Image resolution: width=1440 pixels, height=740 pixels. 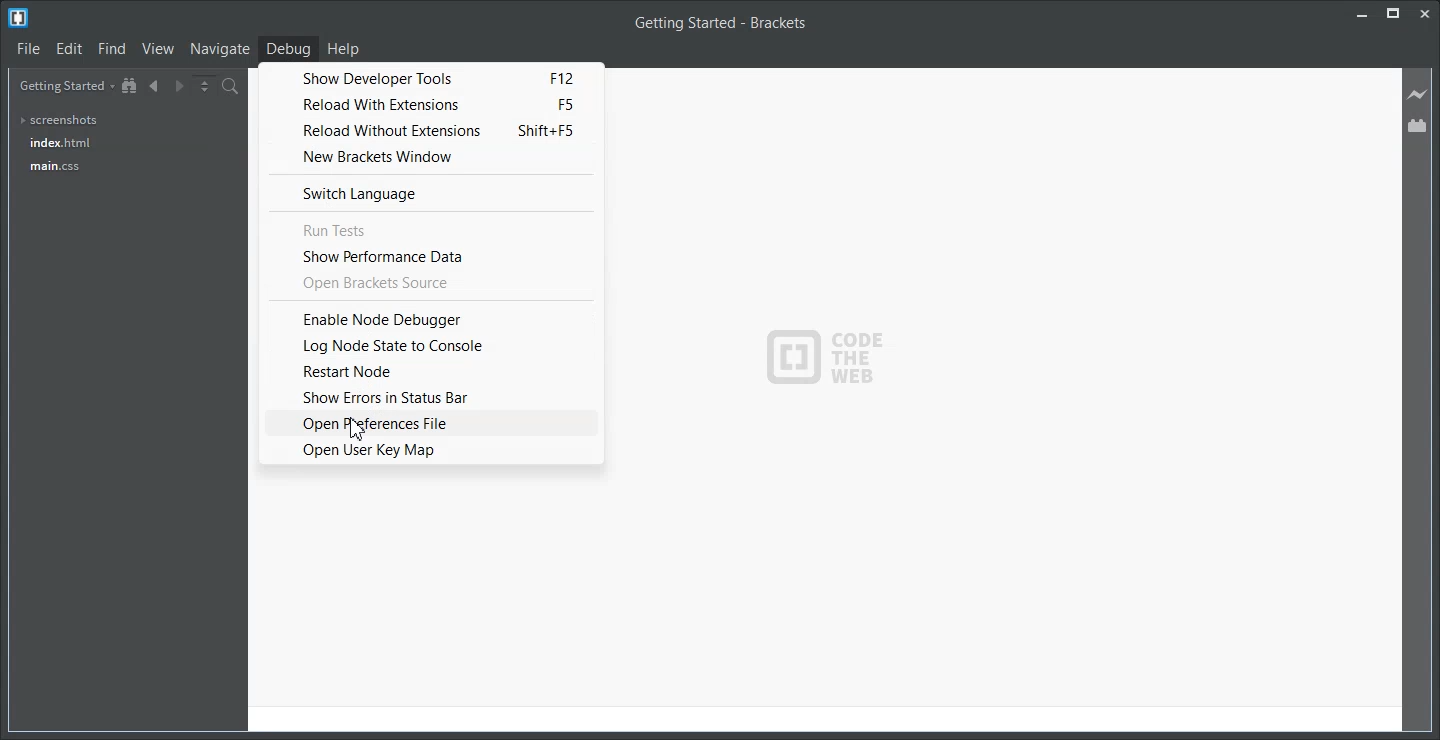 I want to click on Run Tests, so click(x=429, y=229).